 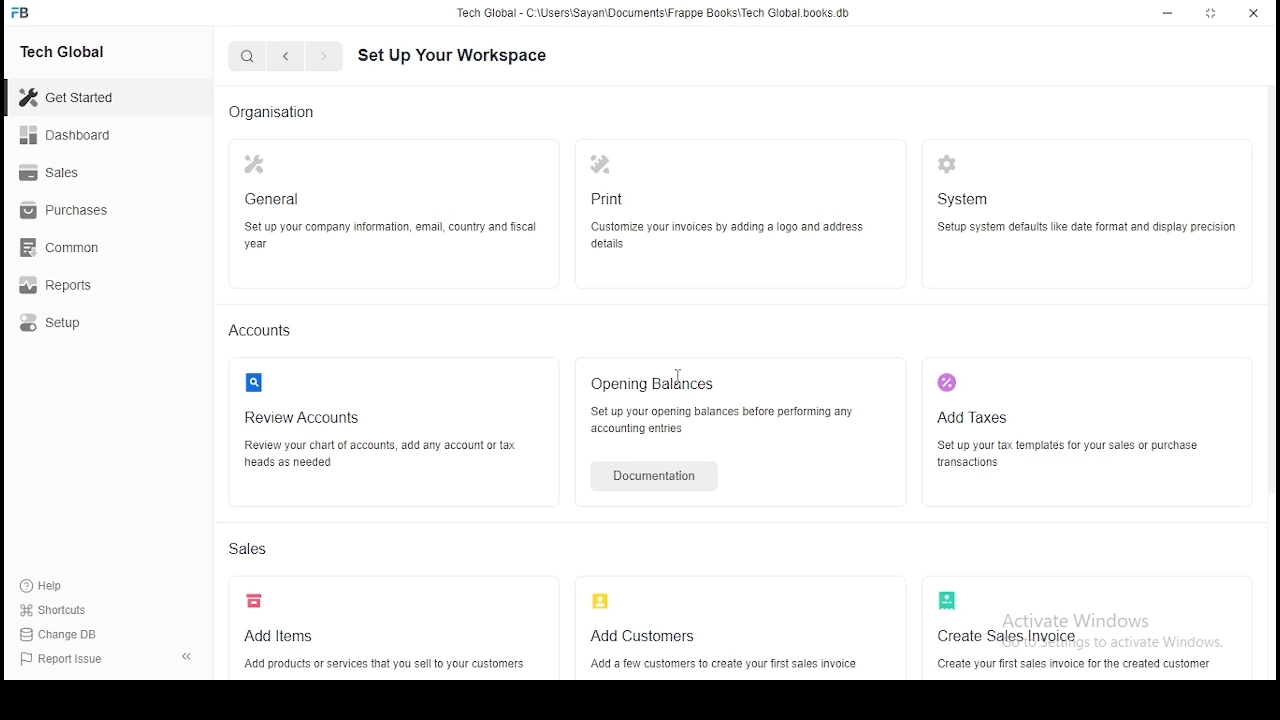 I want to click on Add customers, so click(x=732, y=632).